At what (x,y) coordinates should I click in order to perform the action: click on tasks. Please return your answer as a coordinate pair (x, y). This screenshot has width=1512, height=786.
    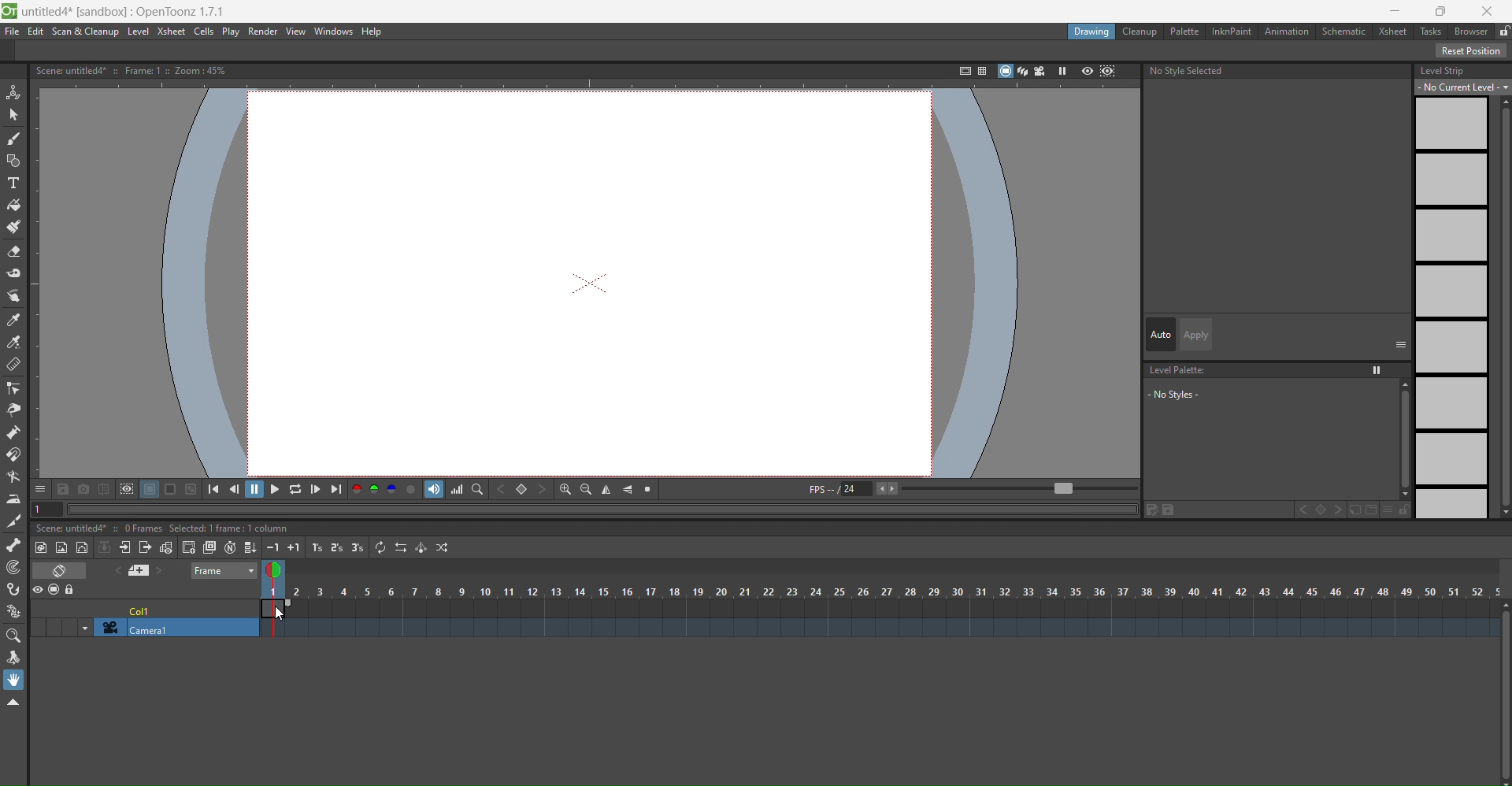
    Looking at the image, I should click on (1430, 32).